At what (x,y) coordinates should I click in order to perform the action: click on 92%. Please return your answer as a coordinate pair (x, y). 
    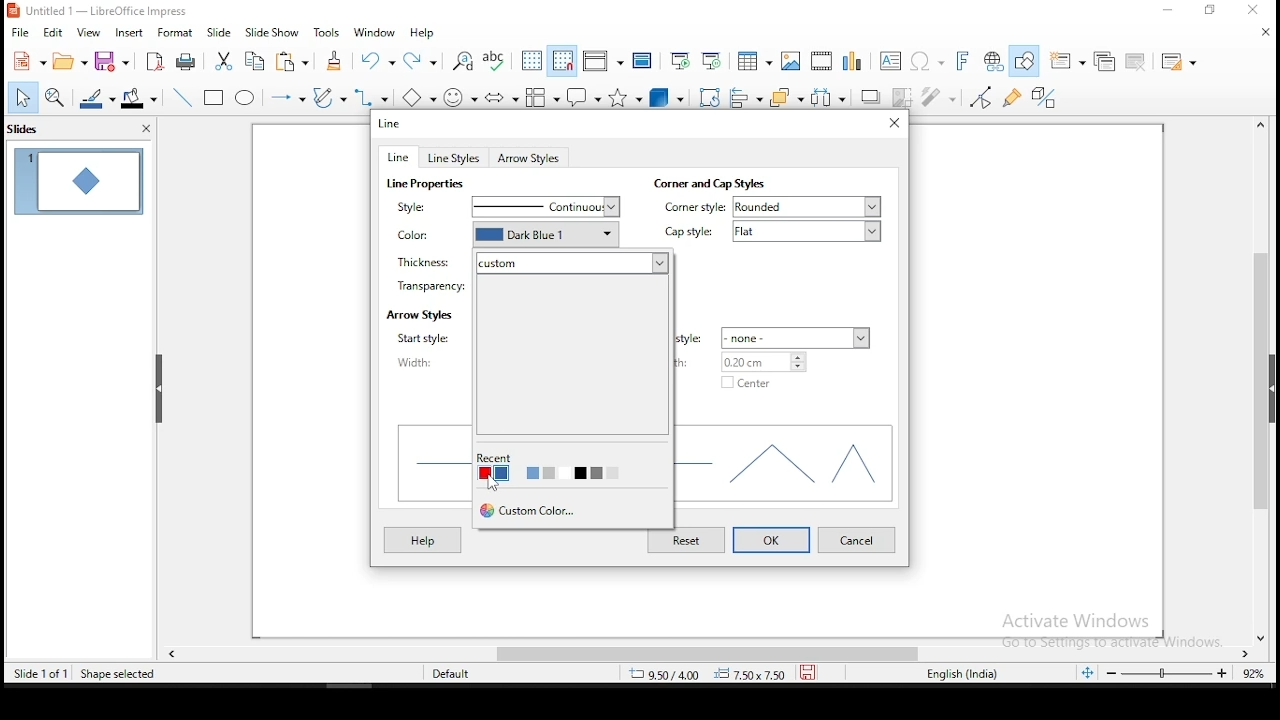
    Looking at the image, I should click on (1258, 673).